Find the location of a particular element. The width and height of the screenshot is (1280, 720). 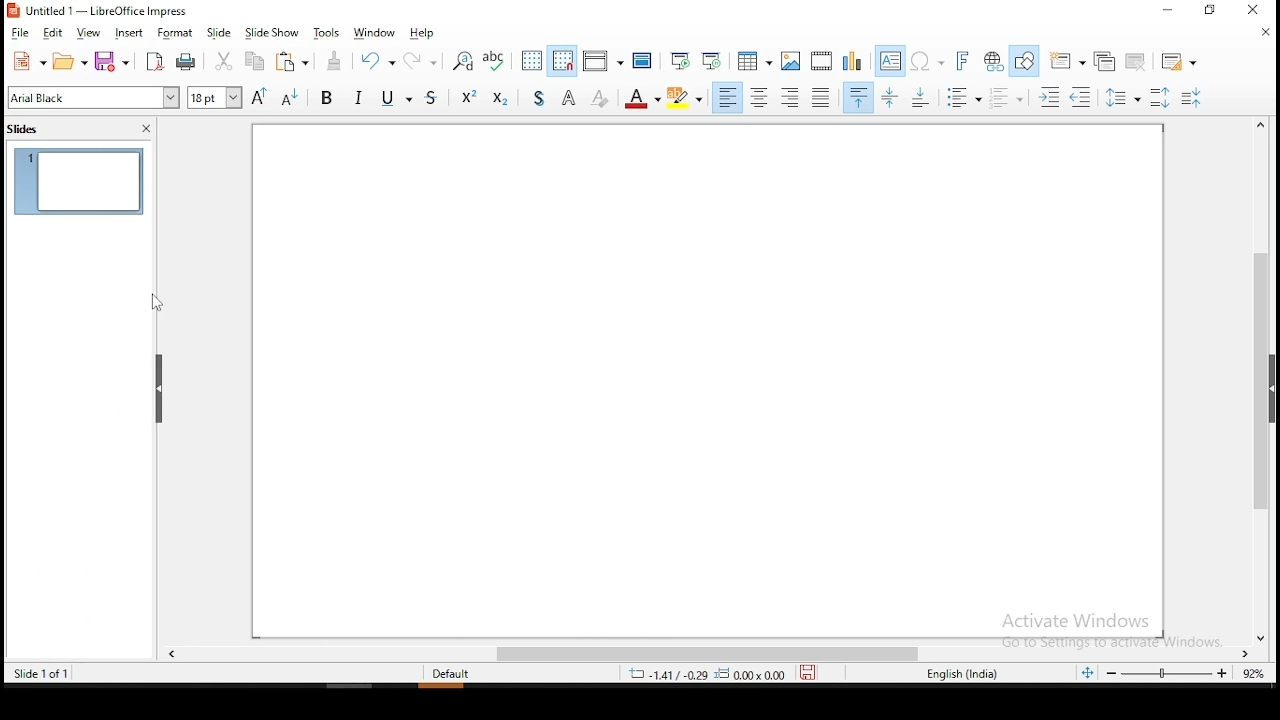

slide show is located at coordinates (271, 31).